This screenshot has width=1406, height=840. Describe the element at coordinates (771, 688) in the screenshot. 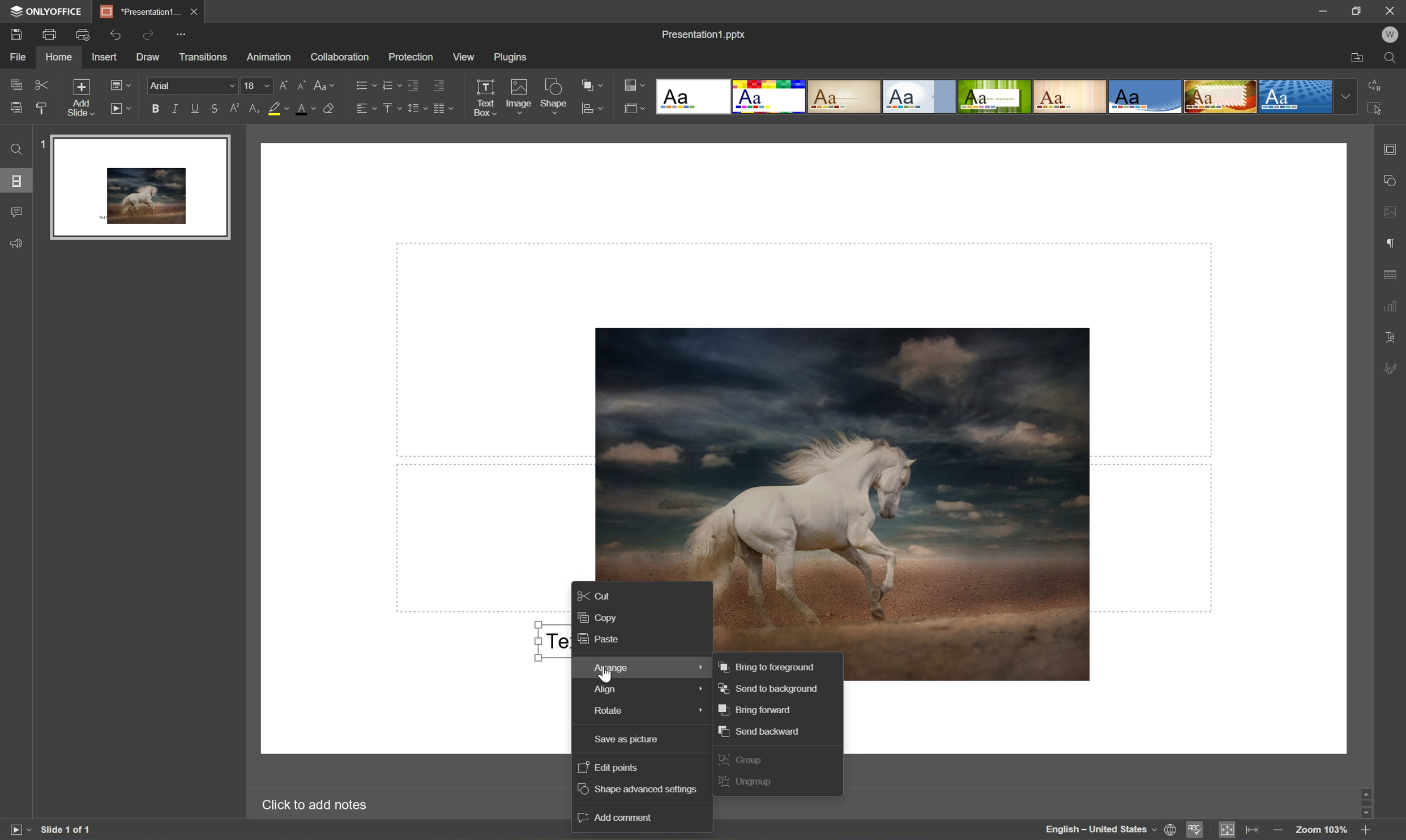

I see `Send to backward` at that location.